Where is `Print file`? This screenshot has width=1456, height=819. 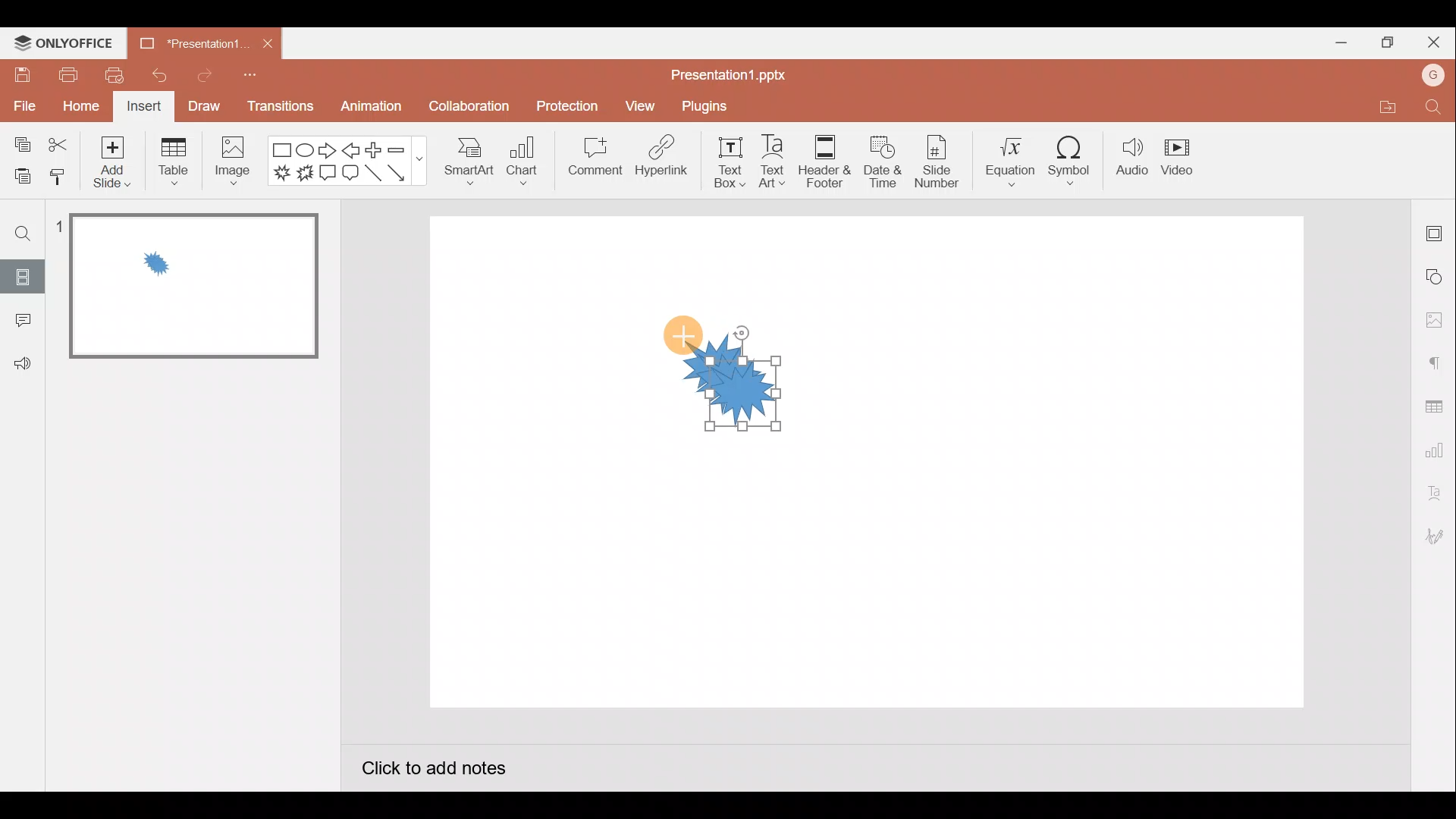 Print file is located at coordinates (67, 75).